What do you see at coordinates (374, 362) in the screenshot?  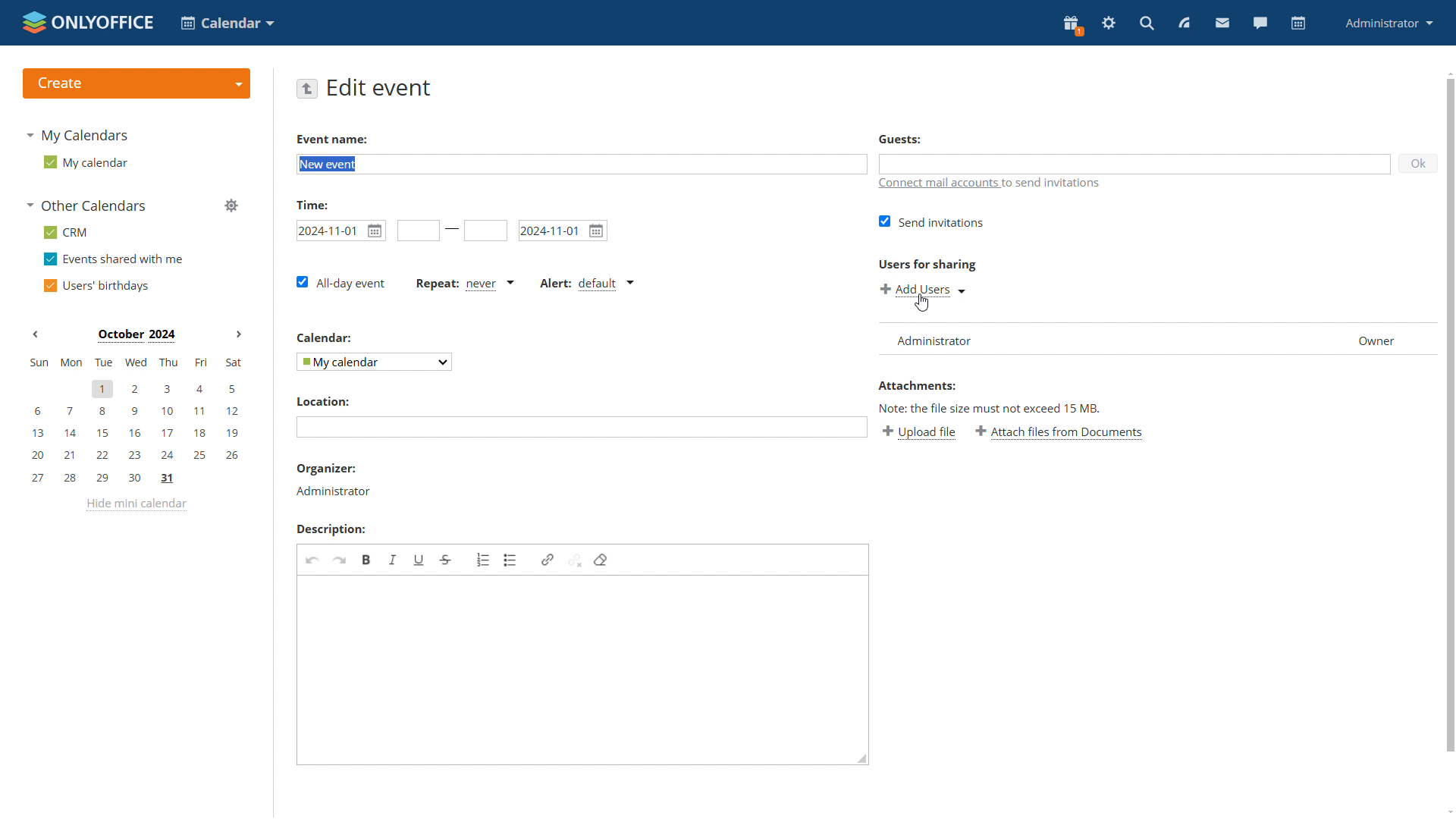 I see `select calendar` at bounding box center [374, 362].